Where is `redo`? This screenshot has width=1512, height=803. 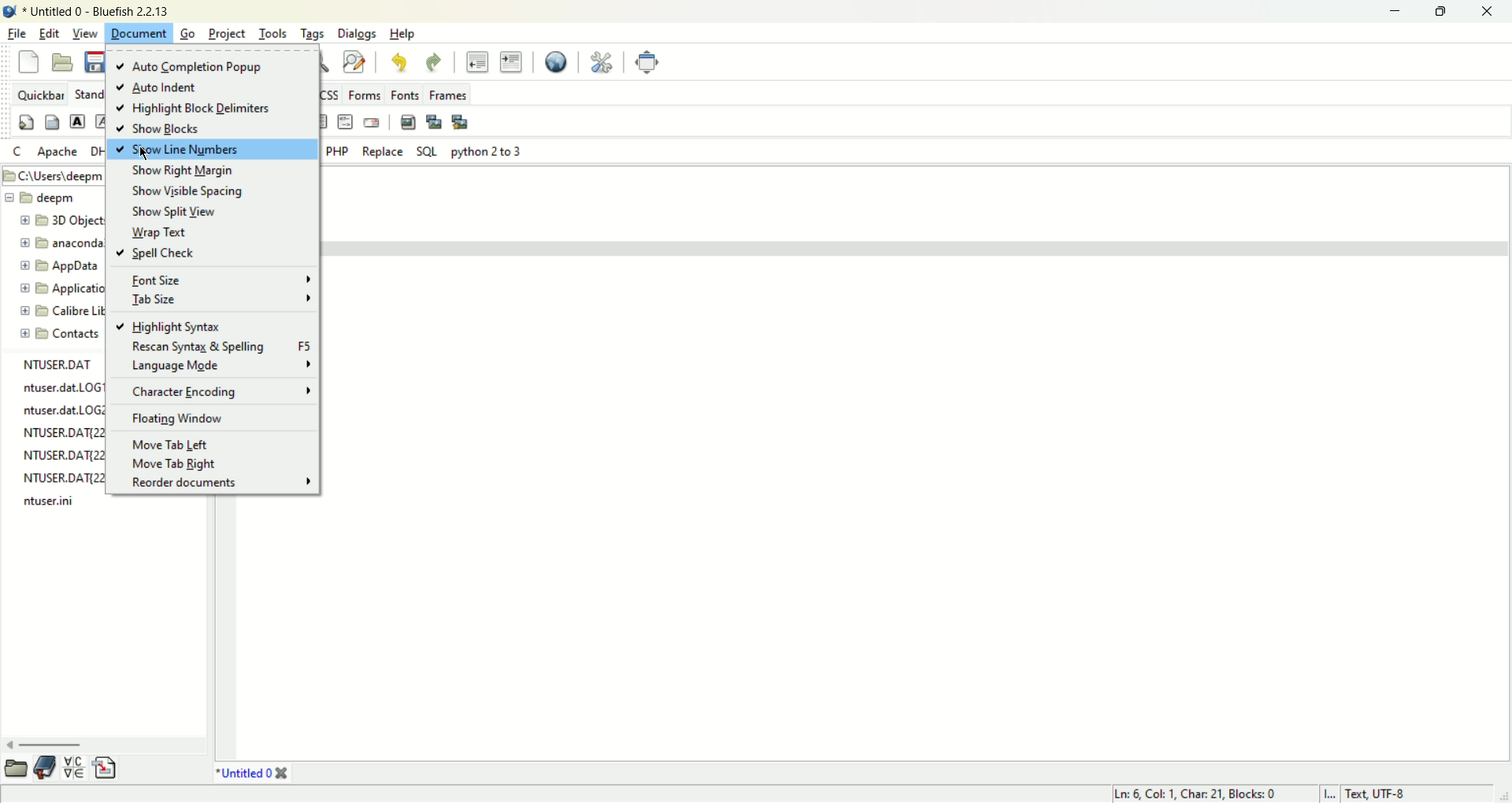
redo is located at coordinates (435, 62).